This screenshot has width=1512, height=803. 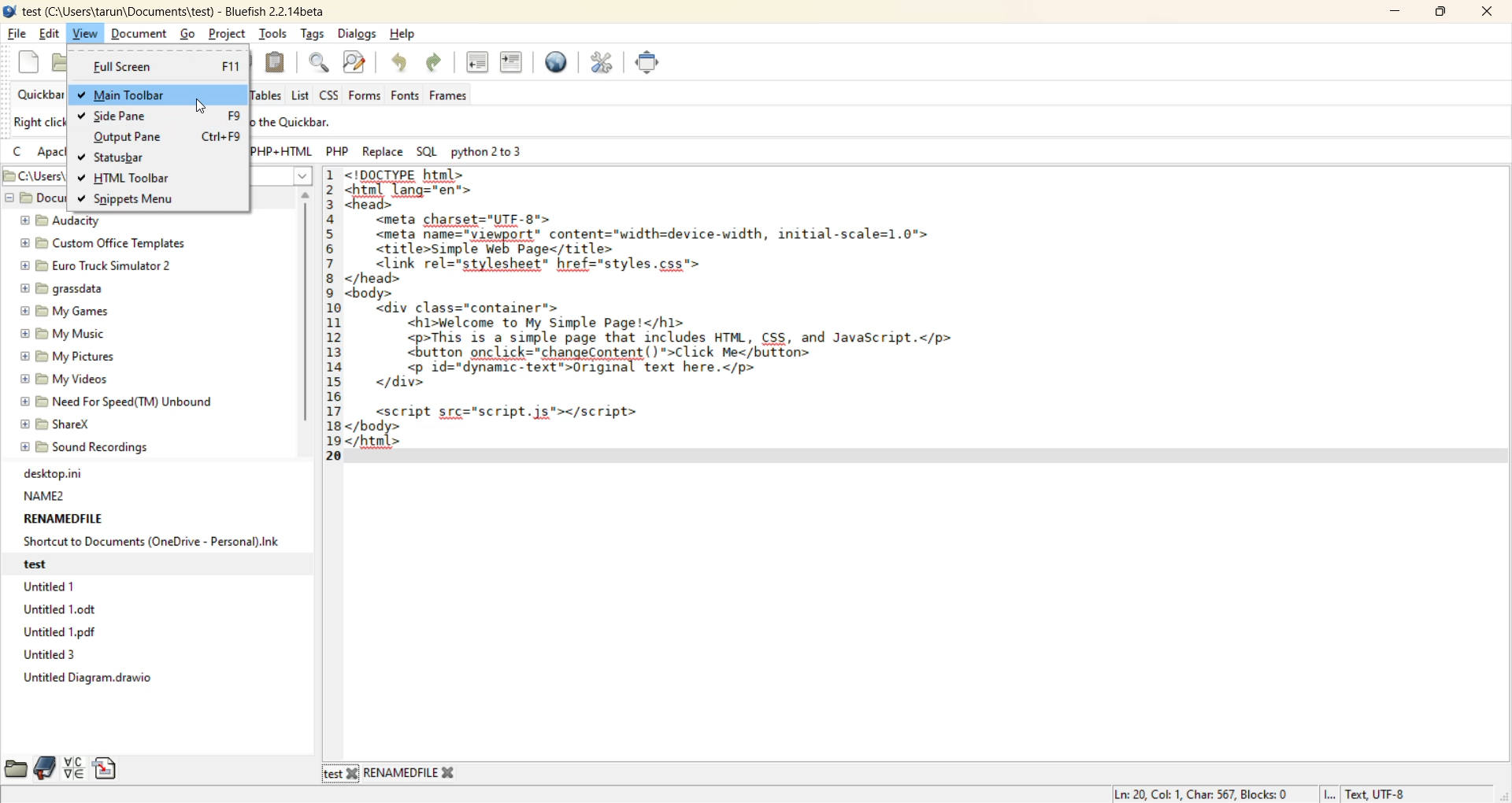 I want to click on # BE Audacity, so click(x=61, y=221).